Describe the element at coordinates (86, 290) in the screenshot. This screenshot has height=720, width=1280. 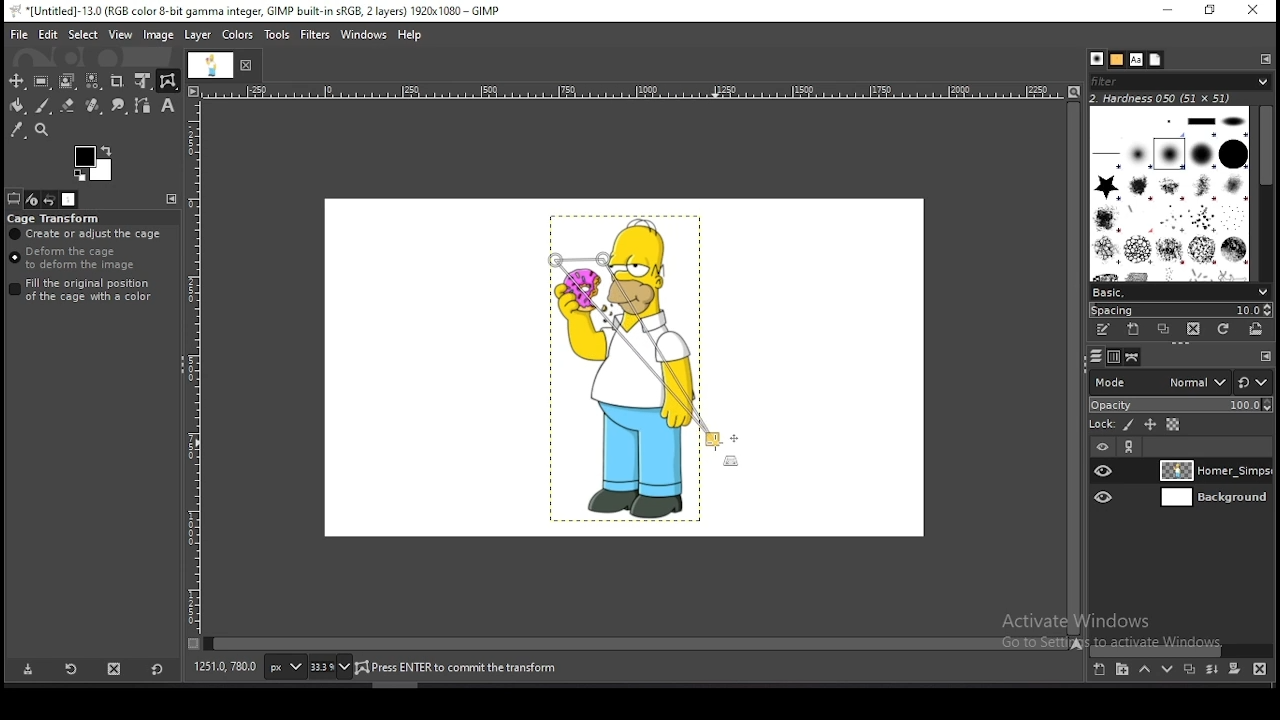
I see `fill the original position of the cage with a color` at that location.